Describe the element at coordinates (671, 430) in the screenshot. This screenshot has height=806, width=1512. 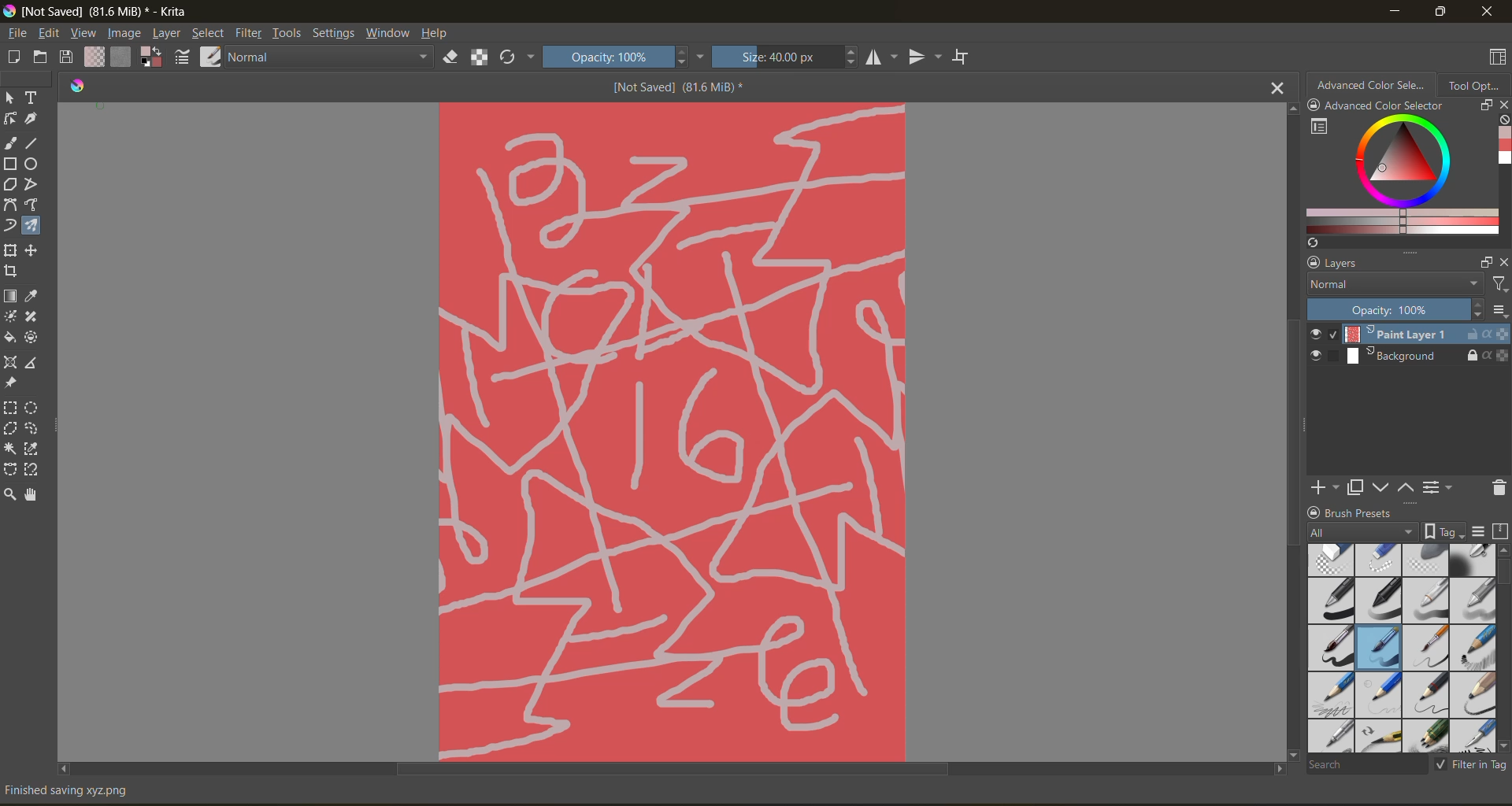
I see `Image` at that location.